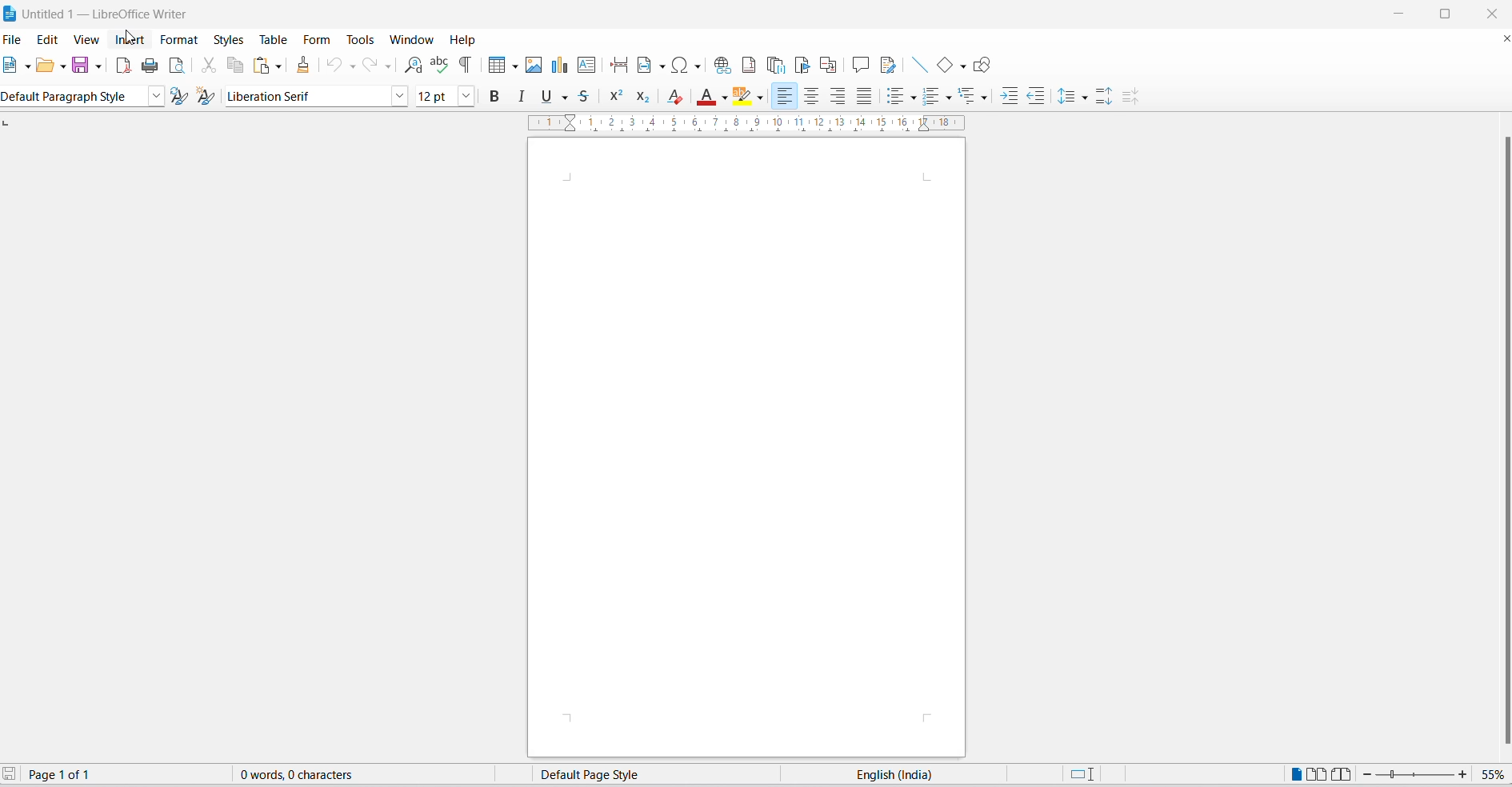  What do you see at coordinates (828, 64) in the screenshot?
I see `insert cross reference` at bounding box center [828, 64].